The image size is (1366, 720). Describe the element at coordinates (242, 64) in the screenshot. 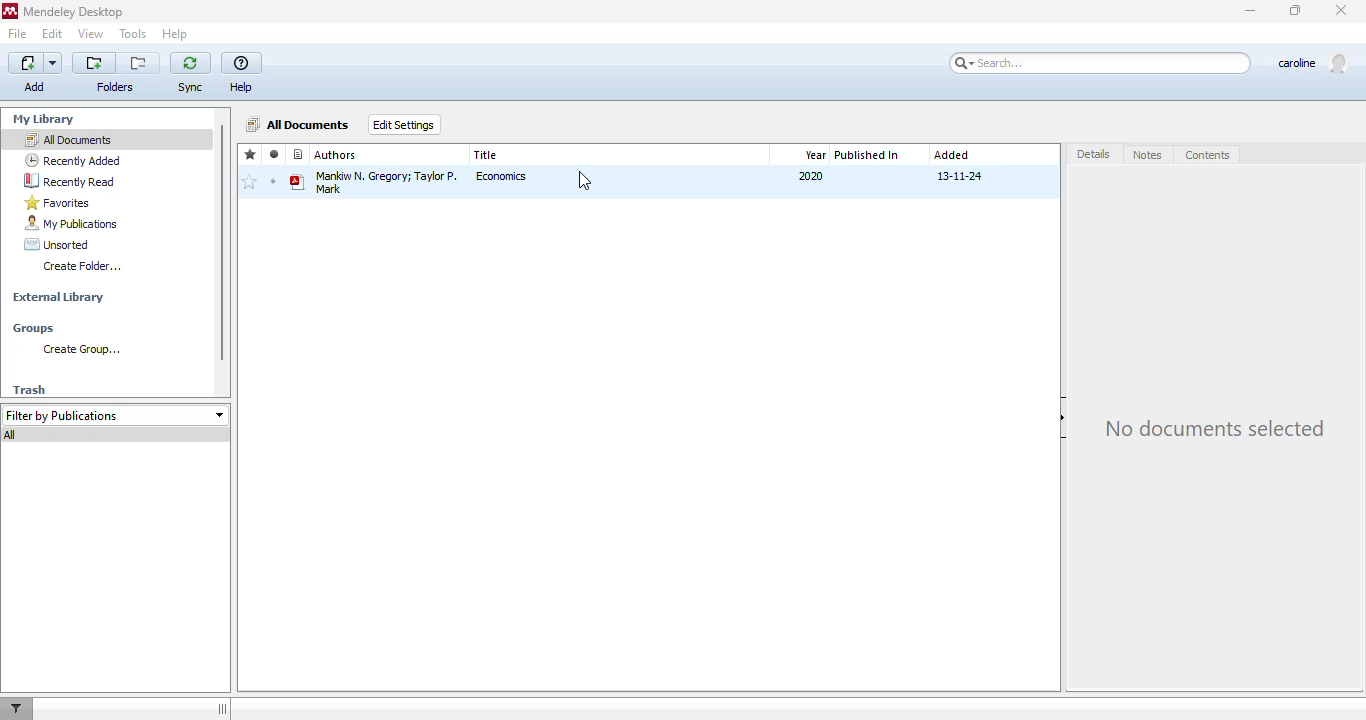

I see `help` at that location.